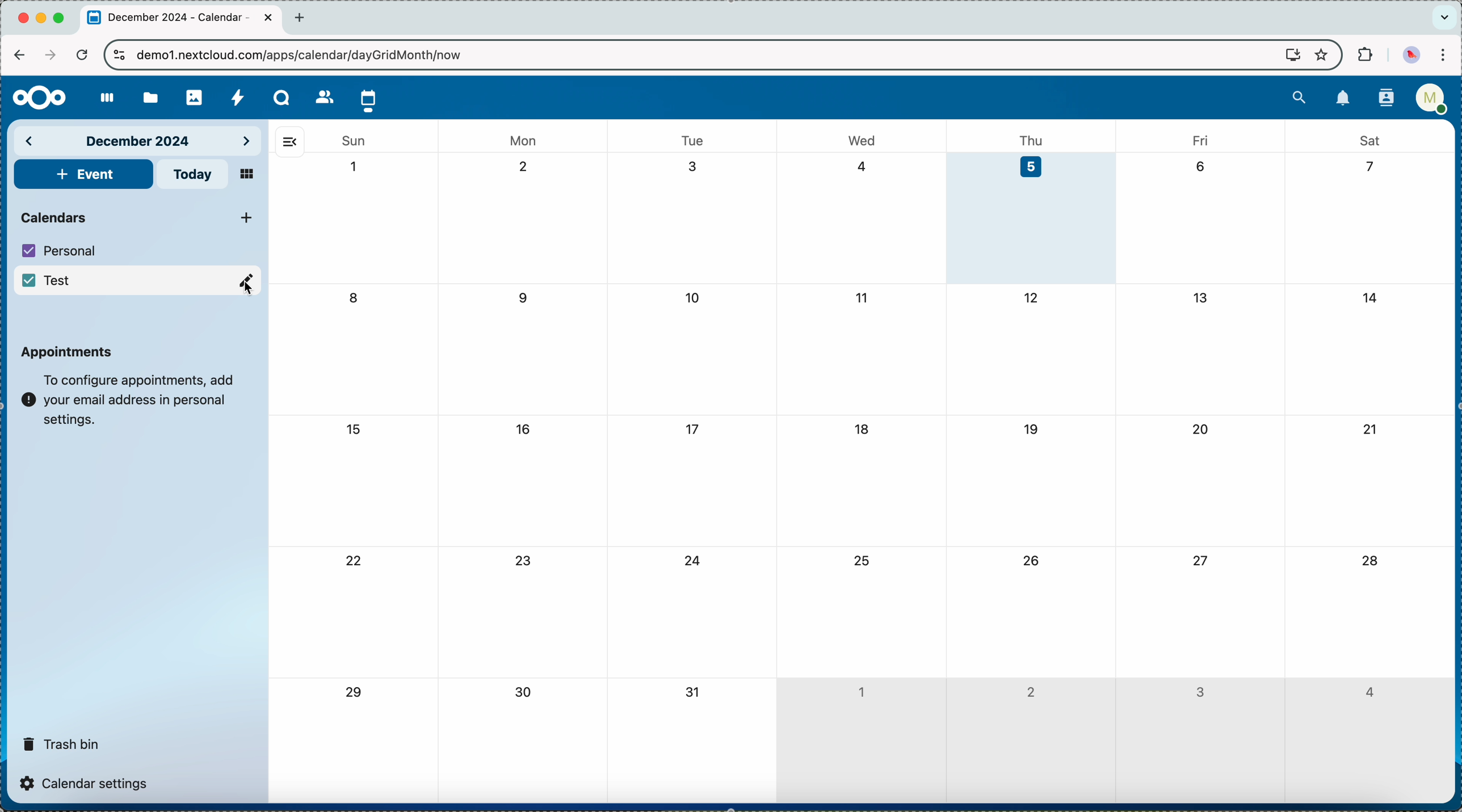  I want to click on thu, so click(1036, 139).